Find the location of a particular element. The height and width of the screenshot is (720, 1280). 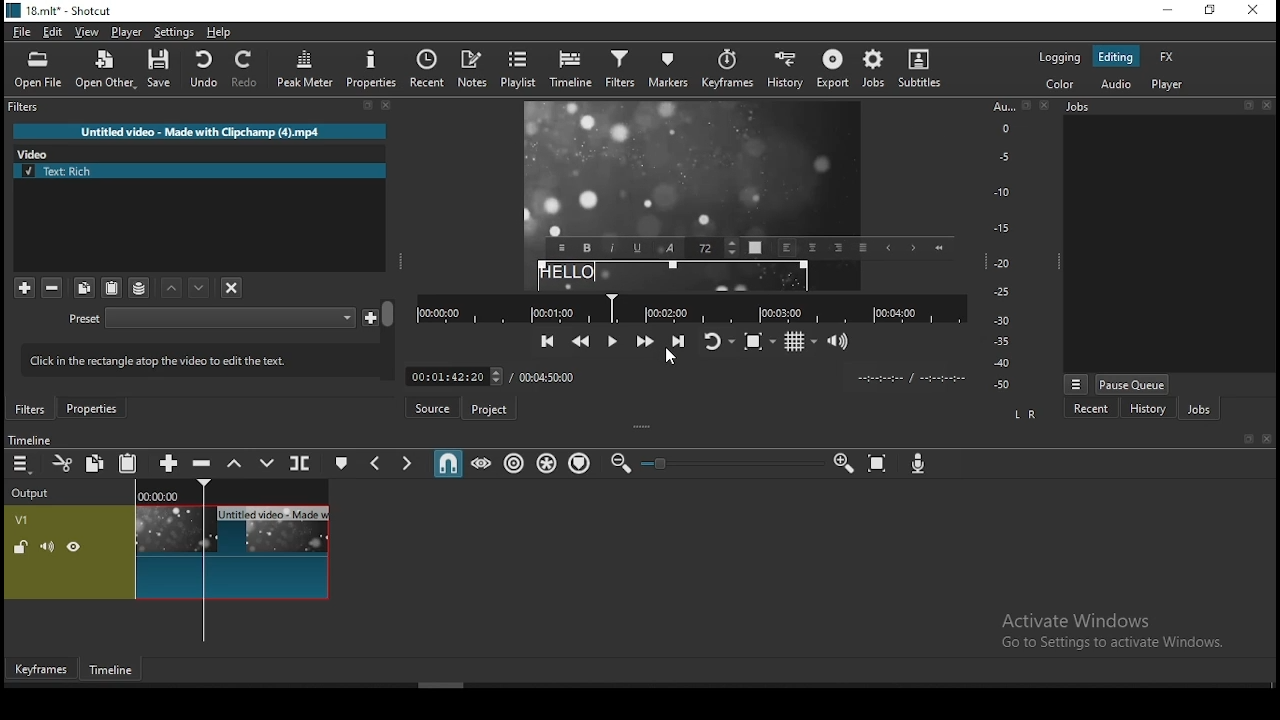

ripple all tracks is located at coordinates (547, 463).